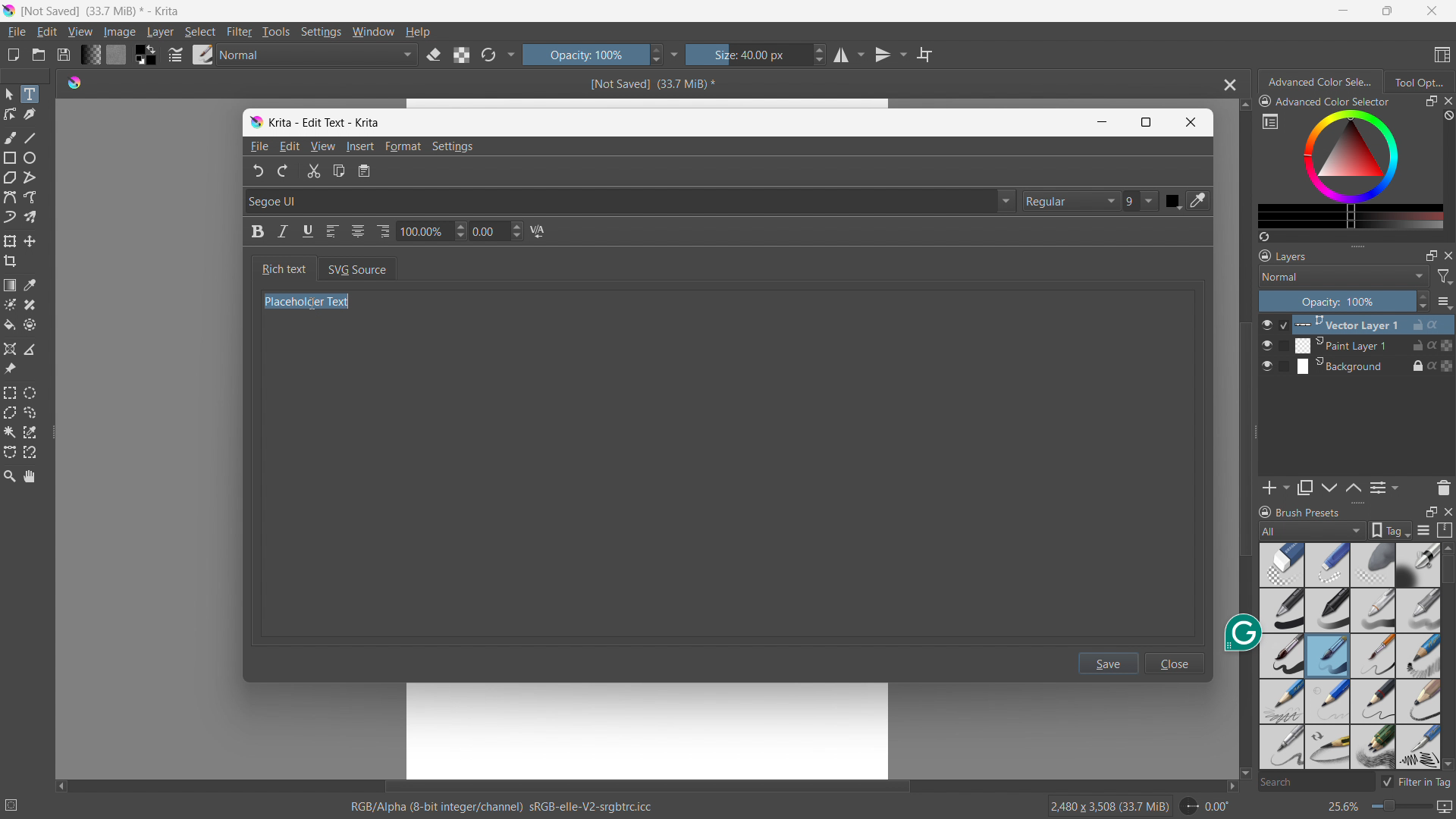 The image size is (1456, 819). What do you see at coordinates (30, 197) in the screenshot?
I see `freehand path tool` at bounding box center [30, 197].